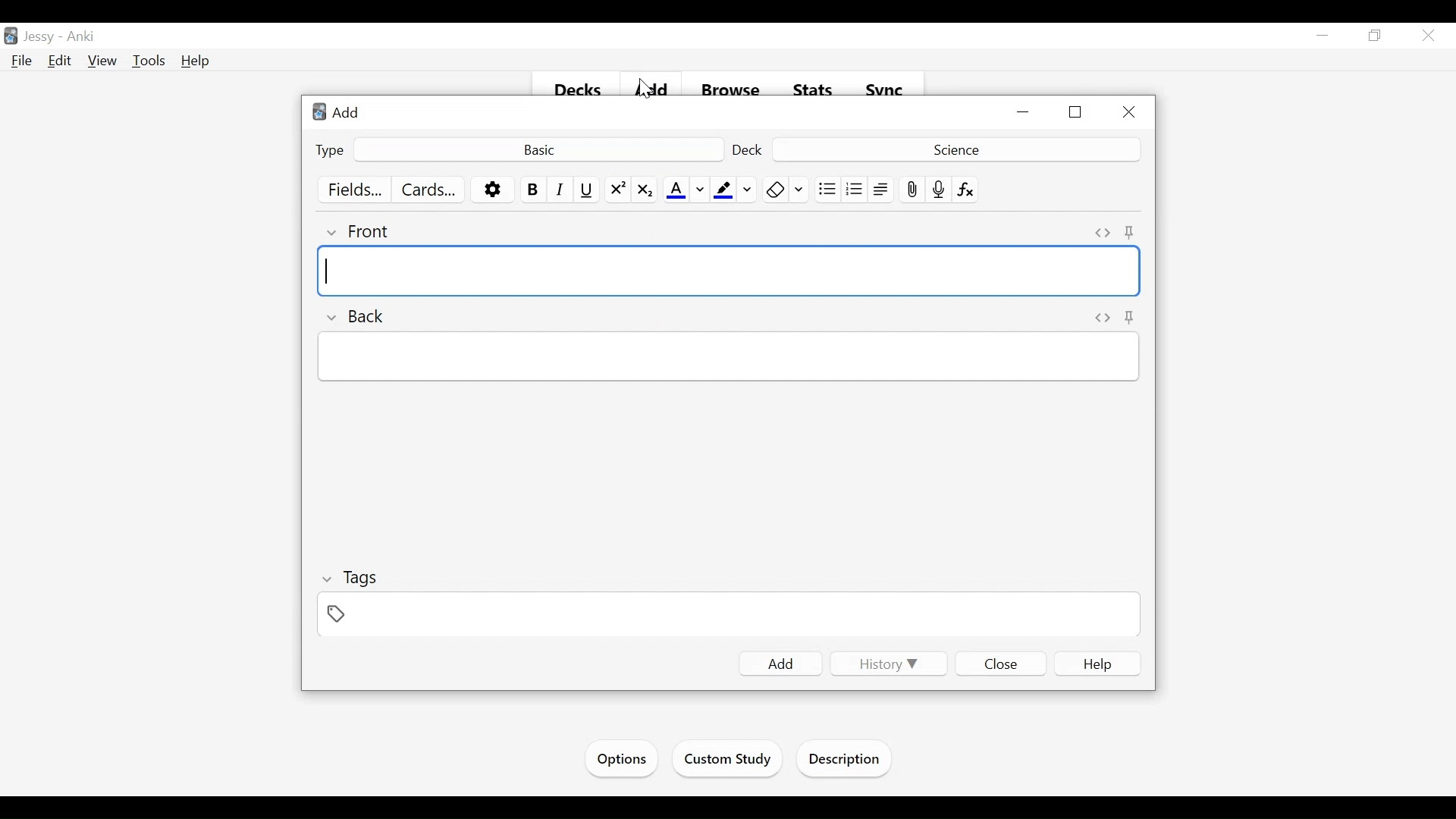 The height and width of the screenshot is (819, 1456). What do you see at coordinates (775, 190) in the screenshot?
I see `Remove Formatting` at bounding box center [775, 190].